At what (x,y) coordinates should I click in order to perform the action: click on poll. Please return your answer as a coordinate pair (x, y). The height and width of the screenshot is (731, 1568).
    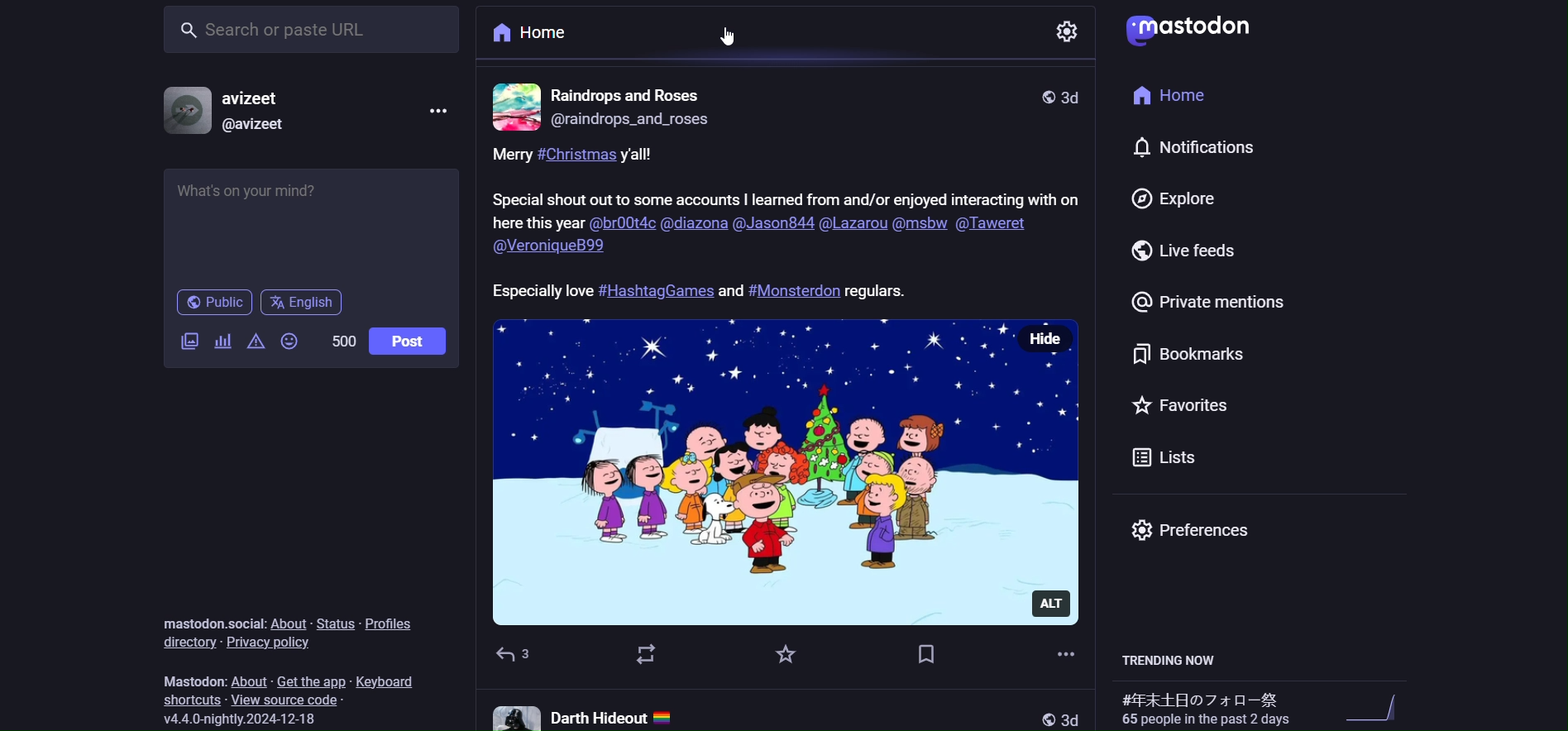
    Looking at the image, I should click on (221, 339).